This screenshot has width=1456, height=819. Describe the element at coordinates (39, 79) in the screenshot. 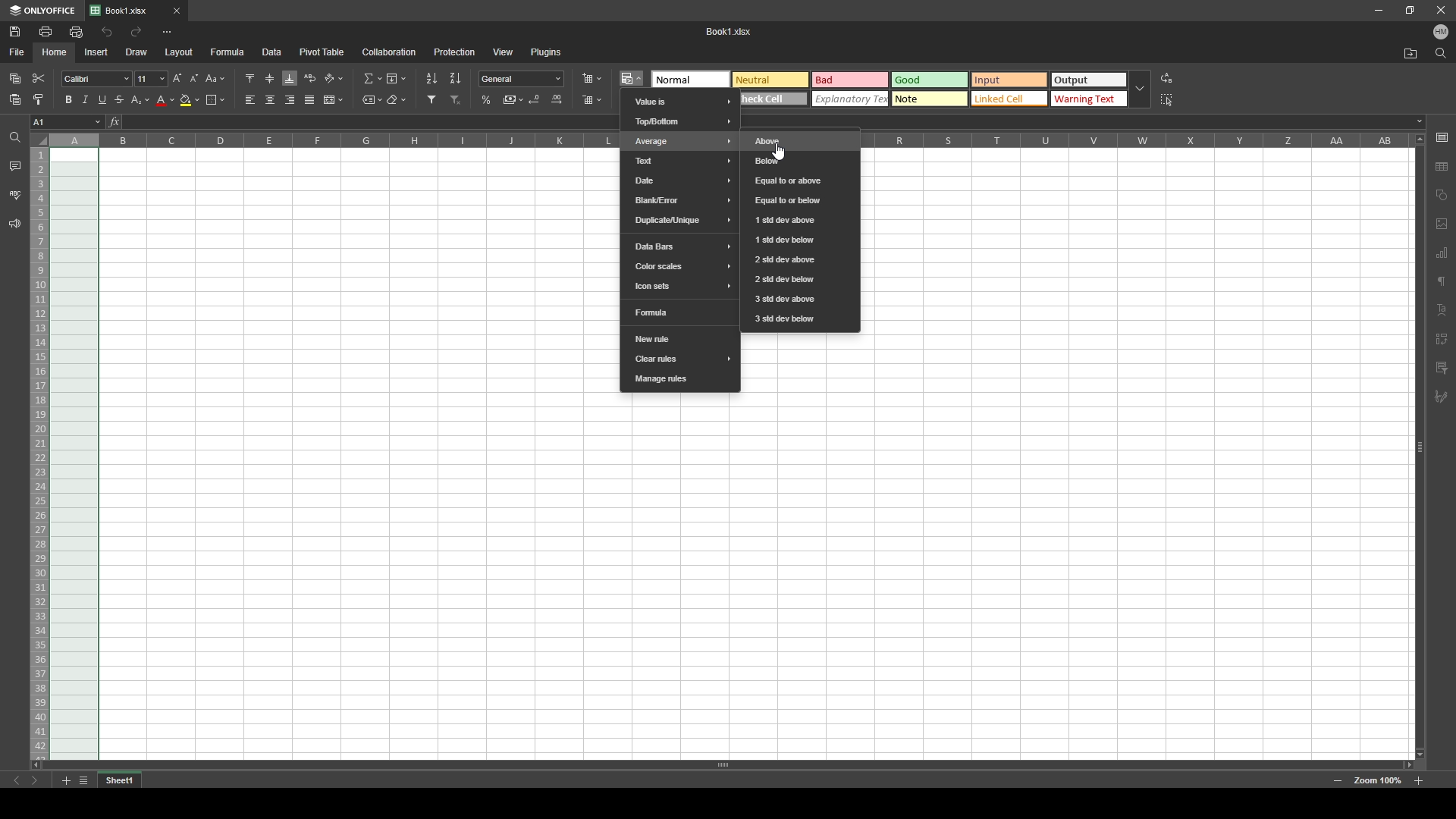

I see `cut` at that location.